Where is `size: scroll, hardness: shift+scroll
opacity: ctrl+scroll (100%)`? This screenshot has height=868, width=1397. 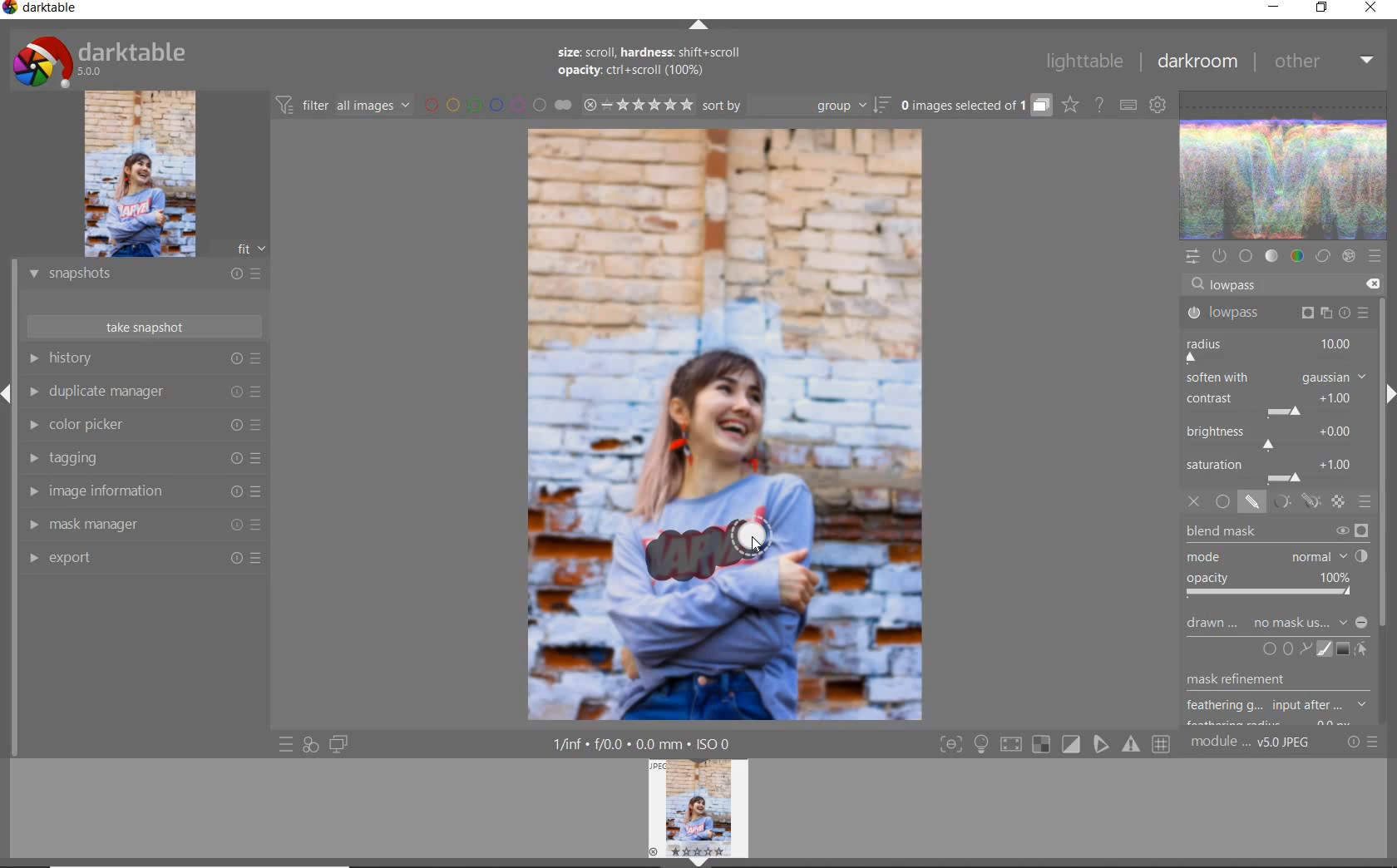 size: scroll, hardness: shift+scroll
opacity: ctrl+scroll (100%) is located at coordinates (653, 64).